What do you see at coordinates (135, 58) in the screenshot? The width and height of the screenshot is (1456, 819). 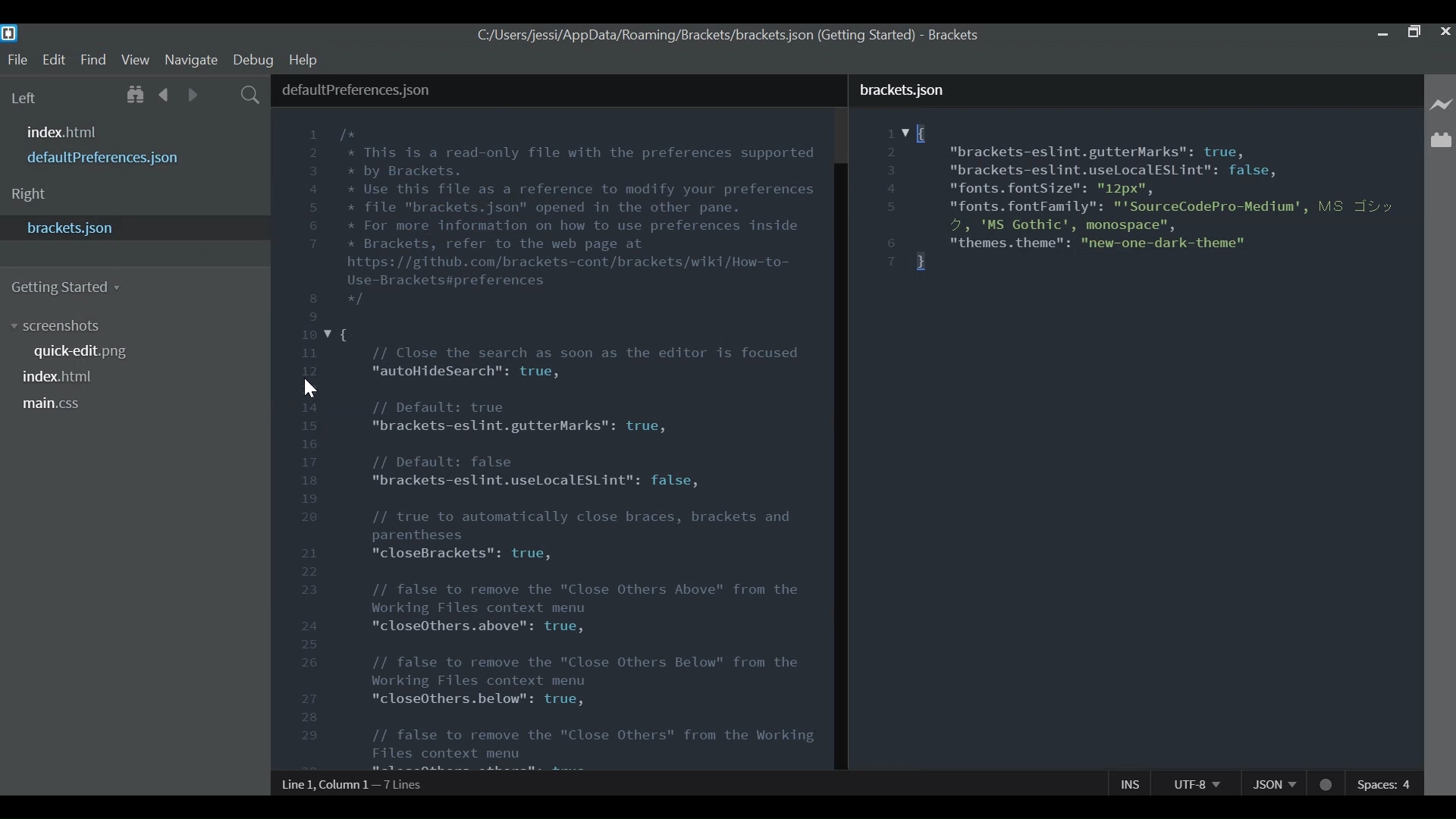 I see `View` at bounding box center [135, 58].